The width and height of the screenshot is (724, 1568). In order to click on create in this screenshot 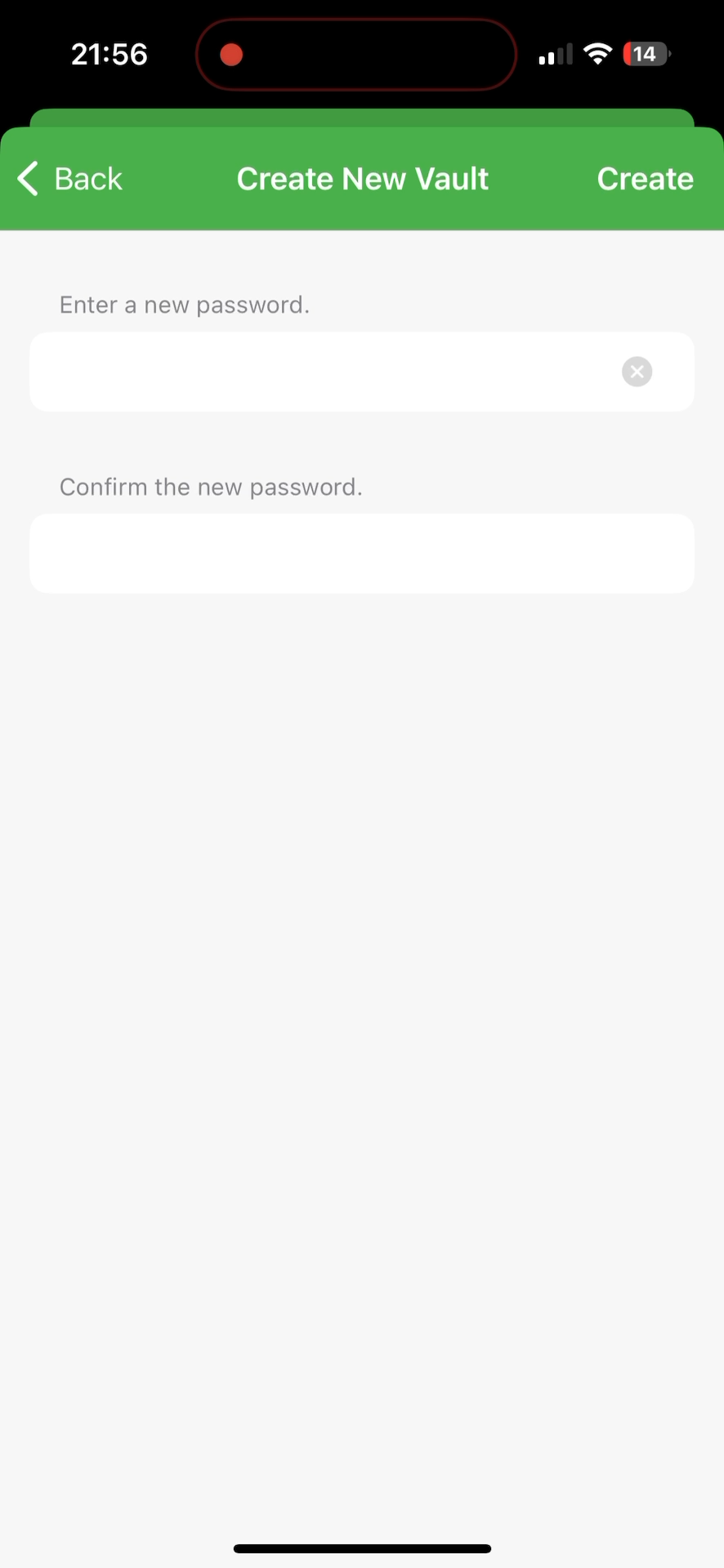, I will do `click(646, 181)`.